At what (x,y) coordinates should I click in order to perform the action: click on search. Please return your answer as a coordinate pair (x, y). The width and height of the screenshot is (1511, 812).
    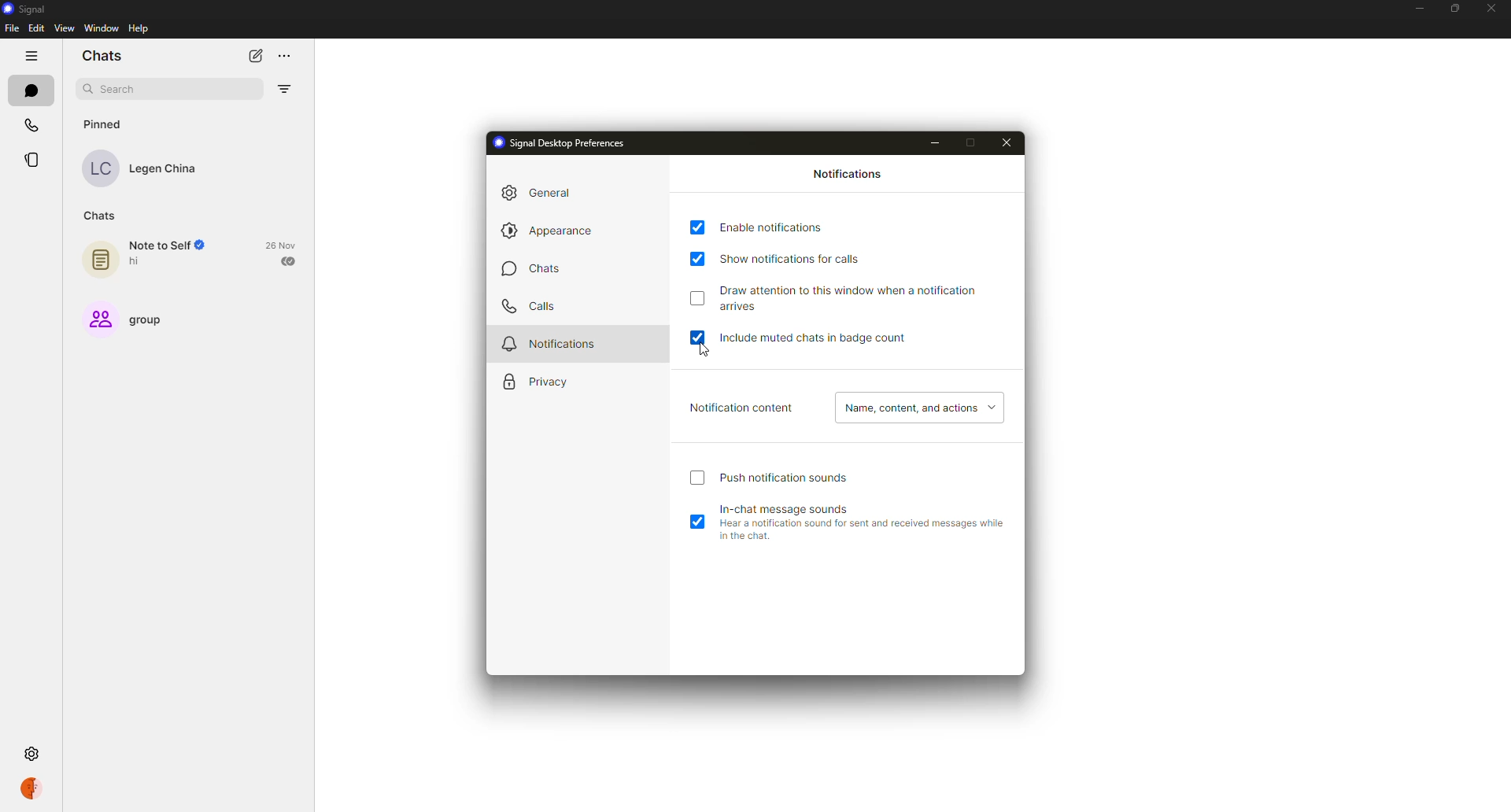
    Looking at the image, I should click on (118, 87).